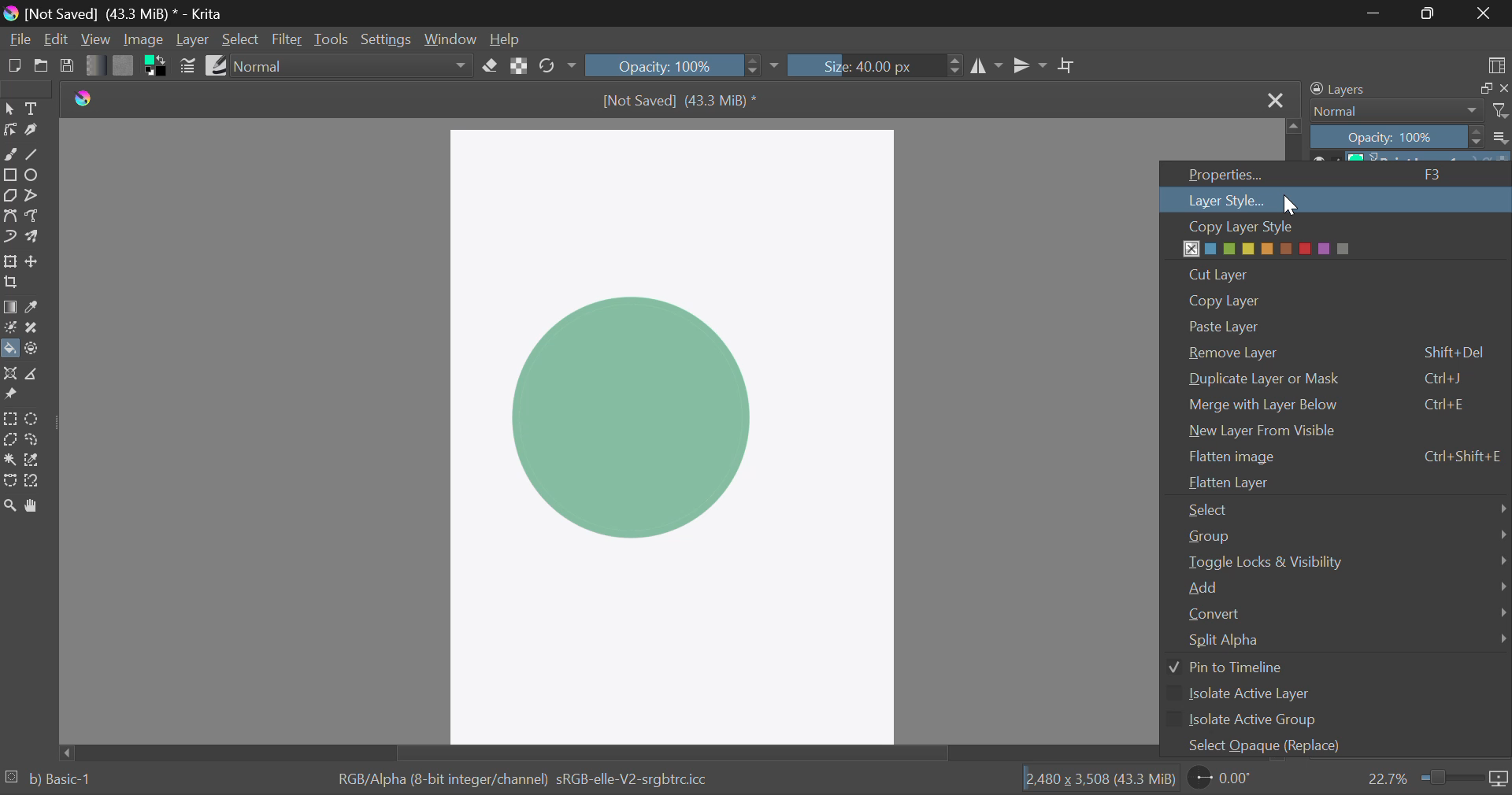 The width and height of the screenshot is (1512, 795). I want to click on Copy Layer, so click(1338, 301).